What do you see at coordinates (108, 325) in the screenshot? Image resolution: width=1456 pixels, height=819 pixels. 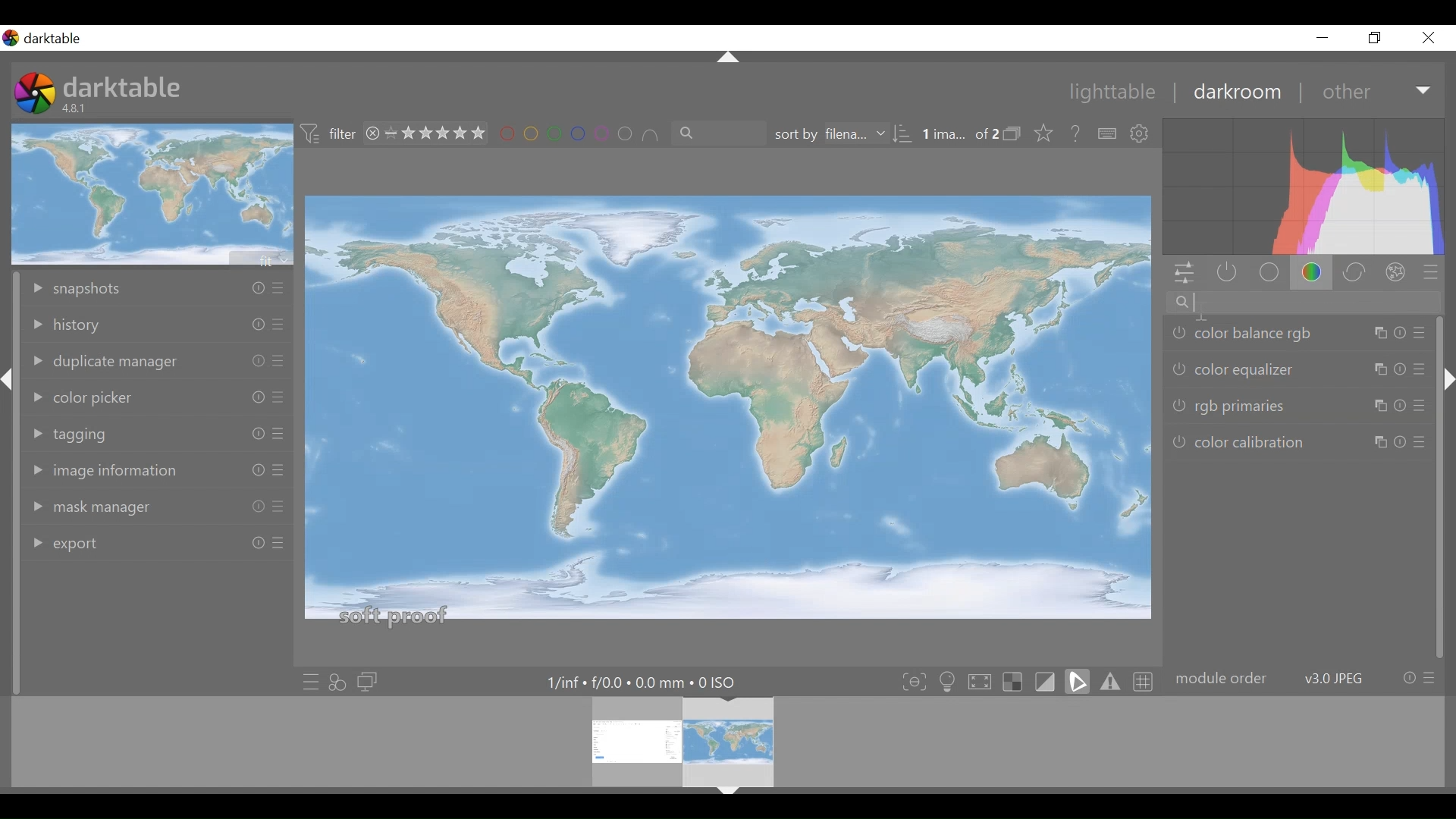 I see `history` at bounding box center [108, 325].